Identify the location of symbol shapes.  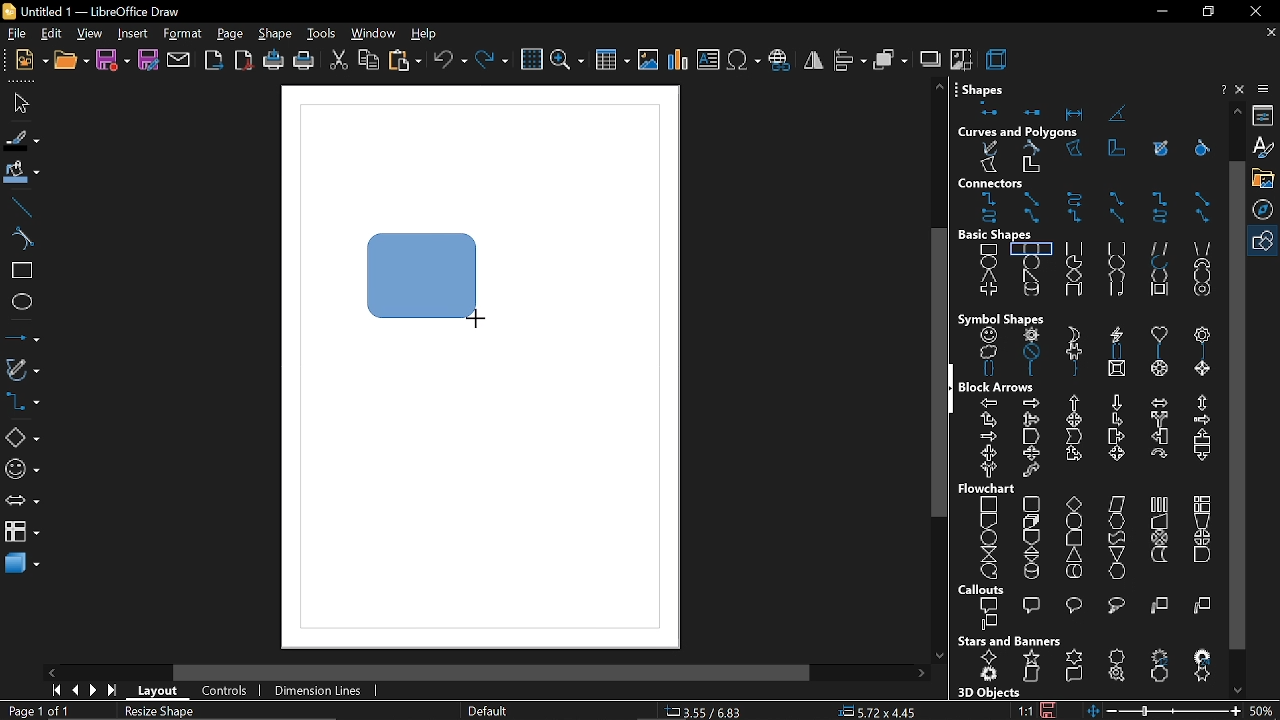
(1093, 354).